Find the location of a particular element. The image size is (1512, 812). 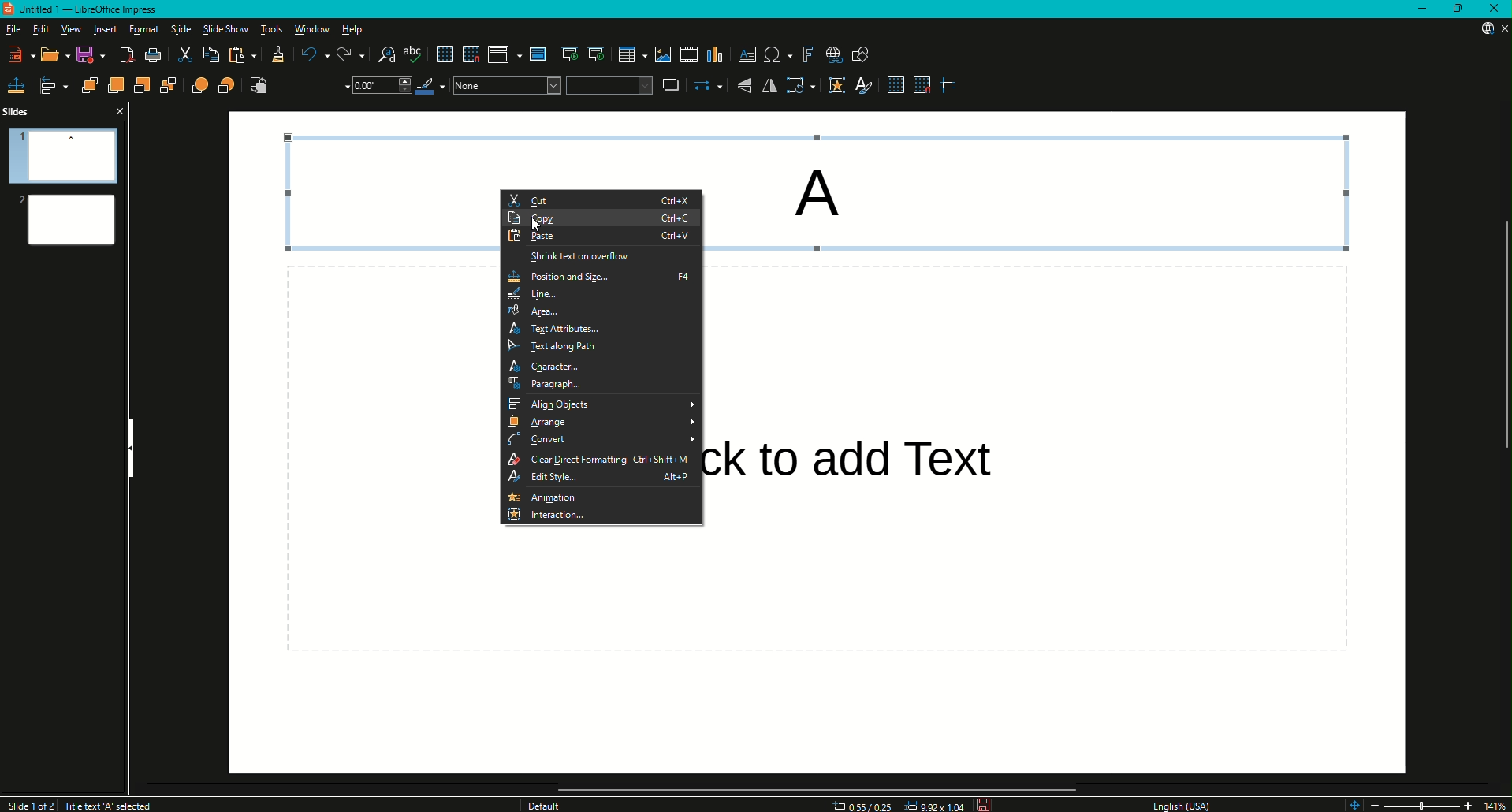

Interaction is located at coordinates (604, 515).